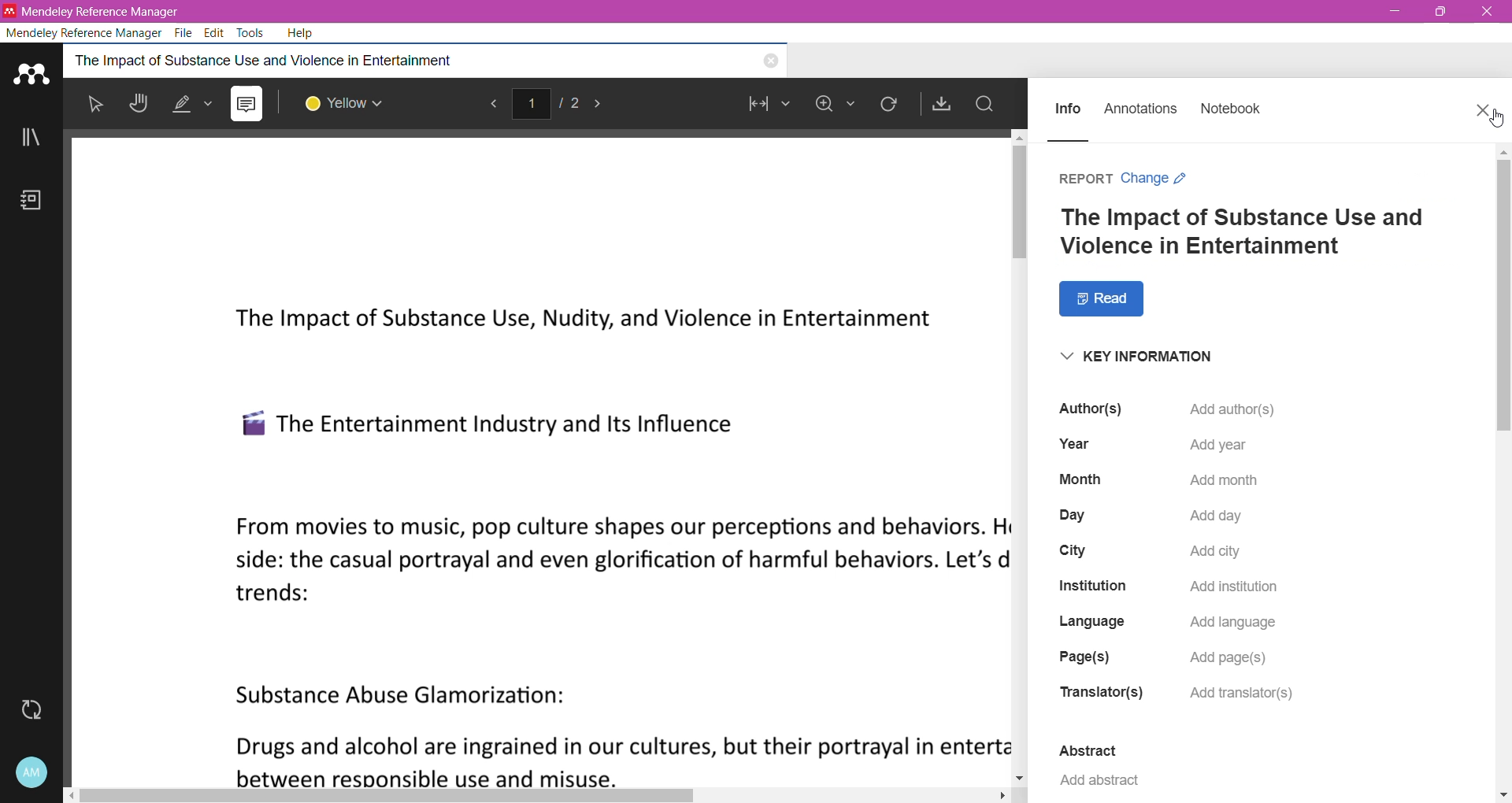 The width and height of the screenshot is (1512, 803). Describe the element at coordinates (1214, 520) in the screenshot. I see `Click to Add day` at that location.